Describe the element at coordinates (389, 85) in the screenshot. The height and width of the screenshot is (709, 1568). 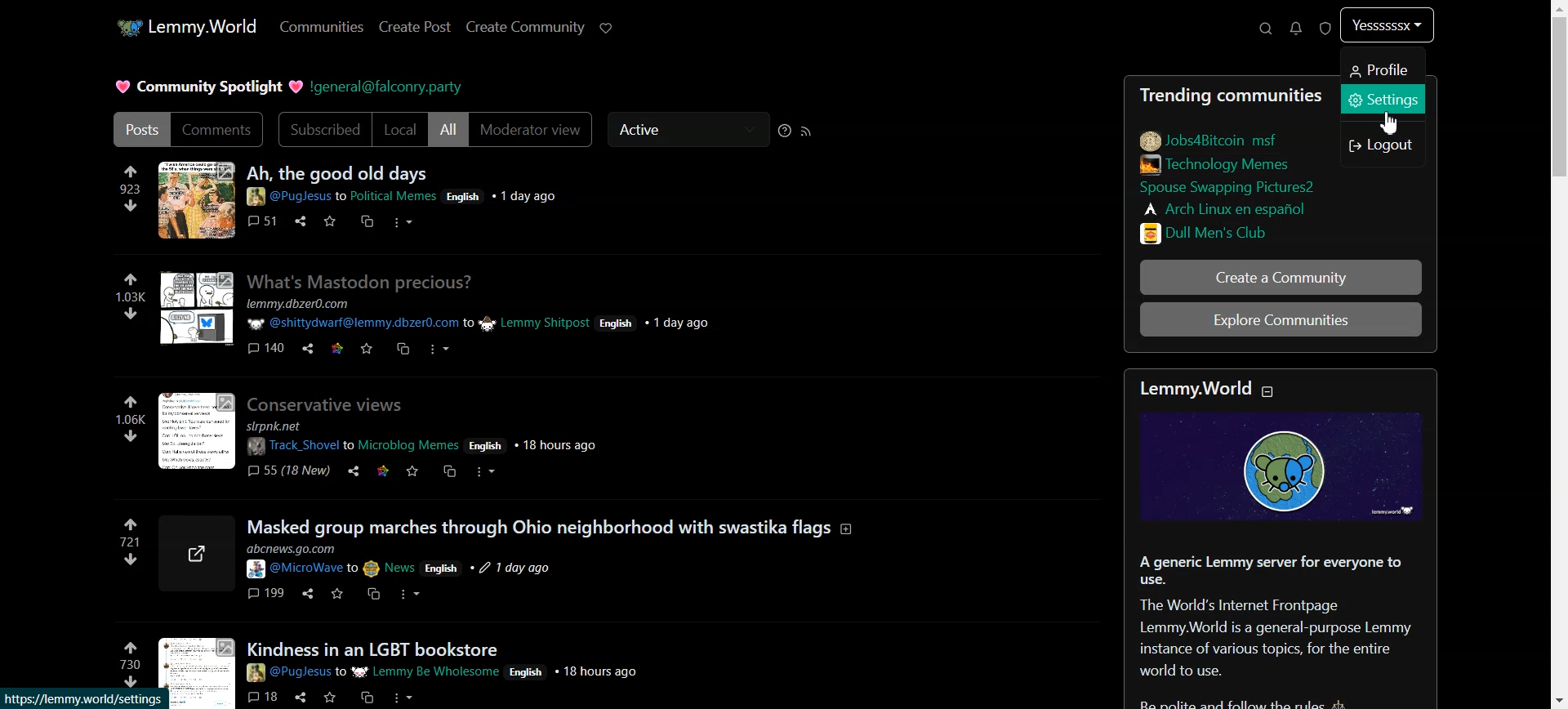
I see `Hyperlink` at that location.